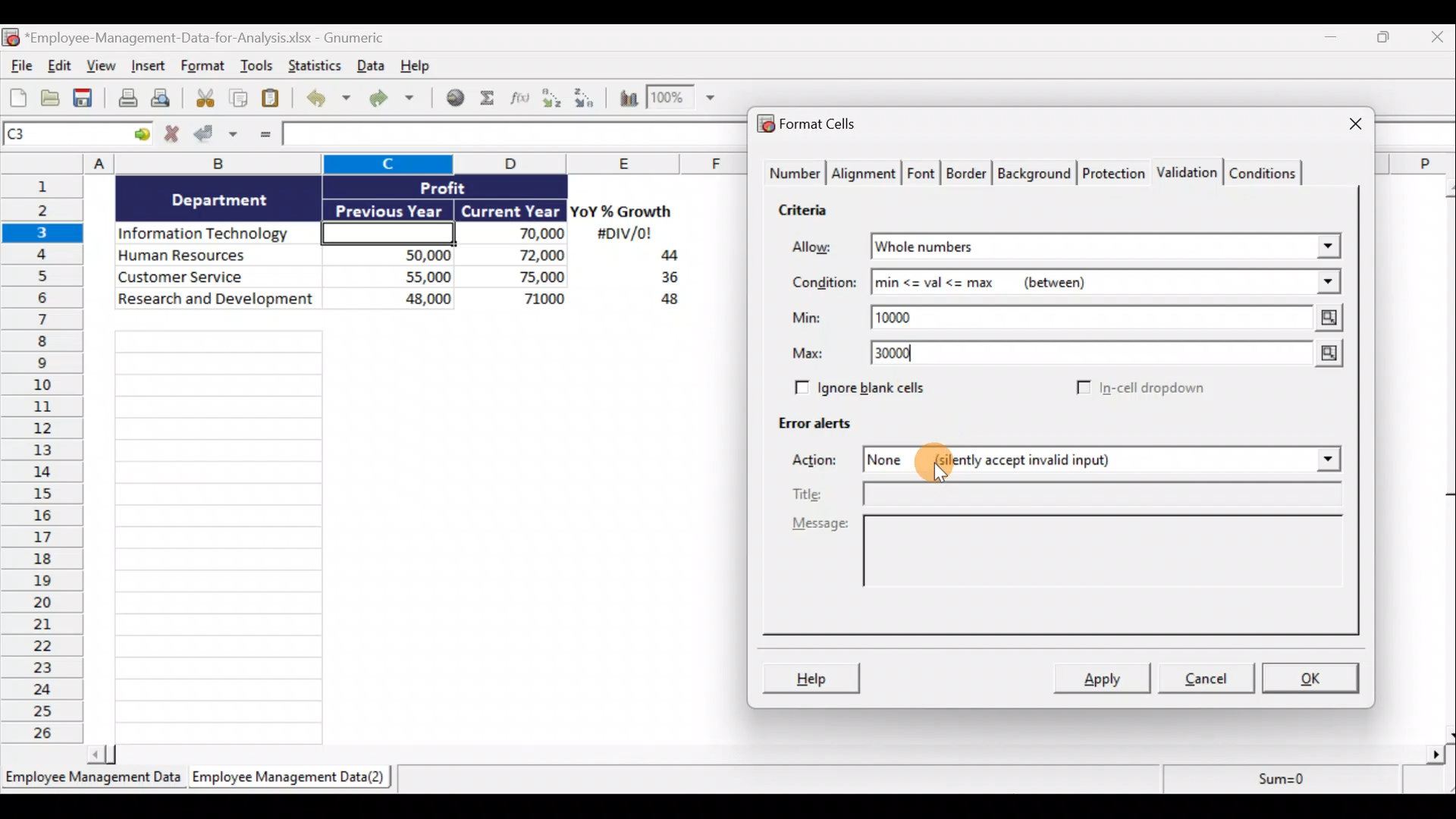  I want to click on Ignore blank cells, so click(882, 388).